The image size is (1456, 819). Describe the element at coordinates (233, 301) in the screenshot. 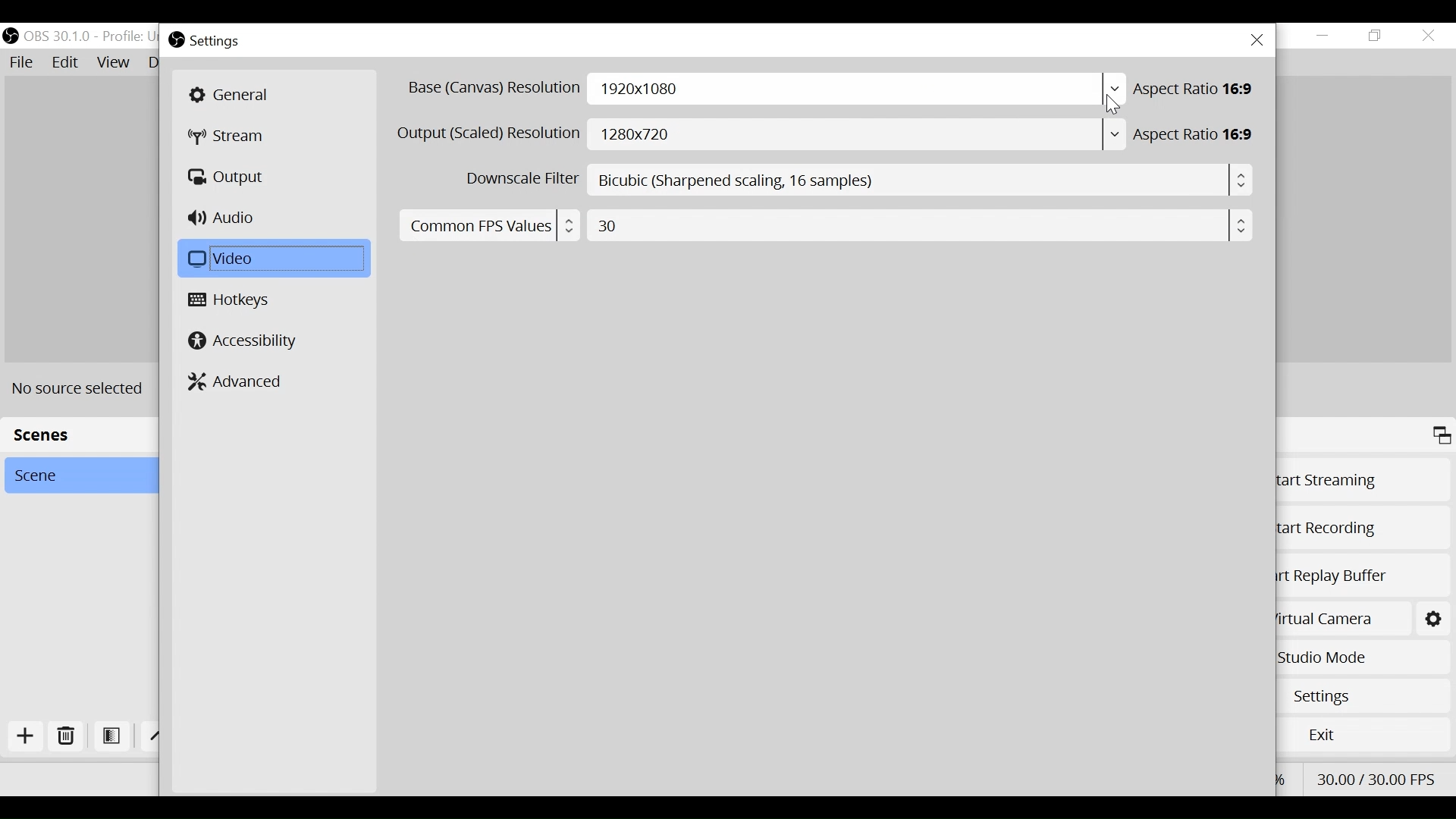

I see `Hotkeys` at that location.